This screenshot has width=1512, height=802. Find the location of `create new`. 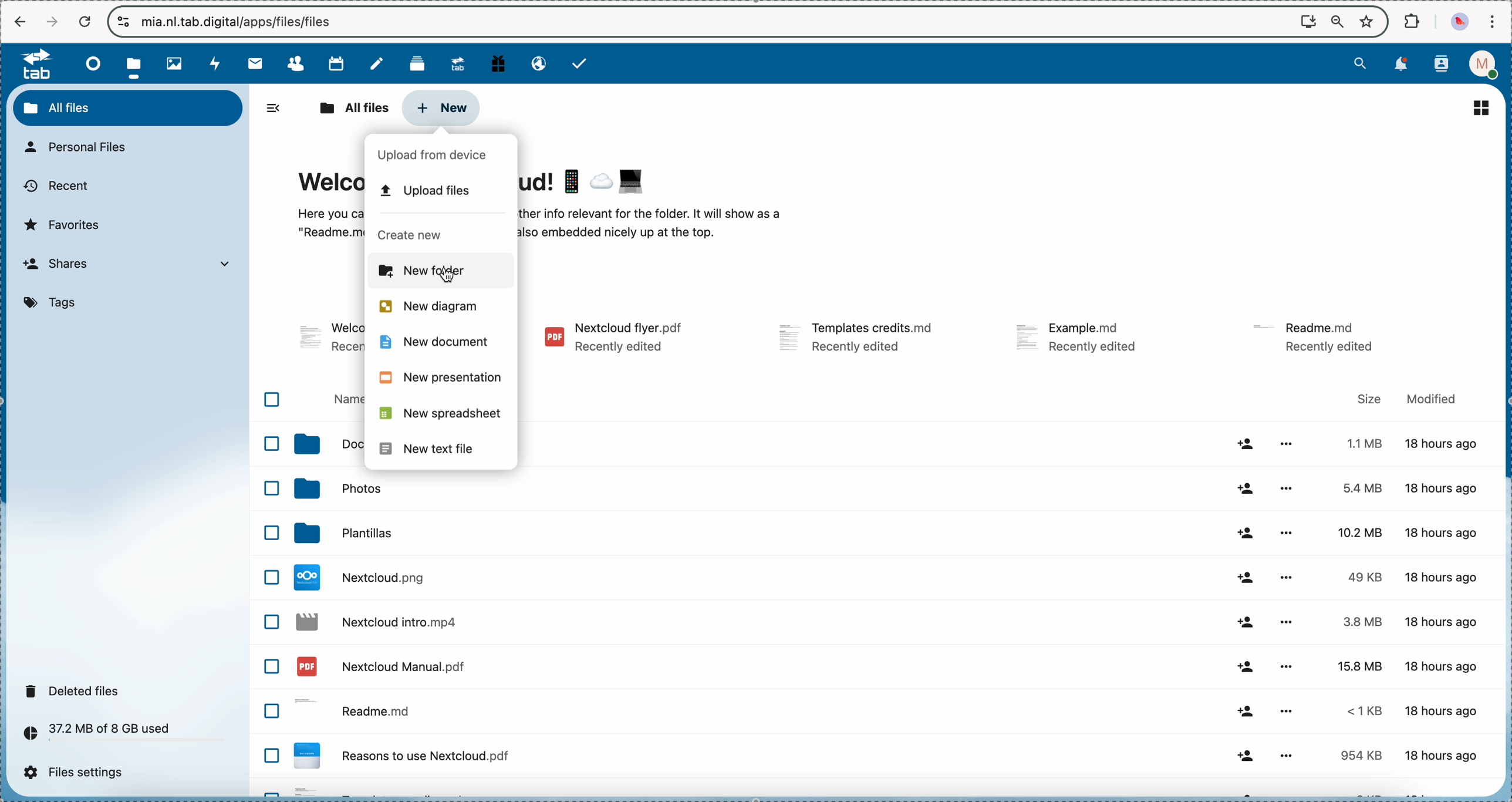

create new is located at coordinates (410, 233).